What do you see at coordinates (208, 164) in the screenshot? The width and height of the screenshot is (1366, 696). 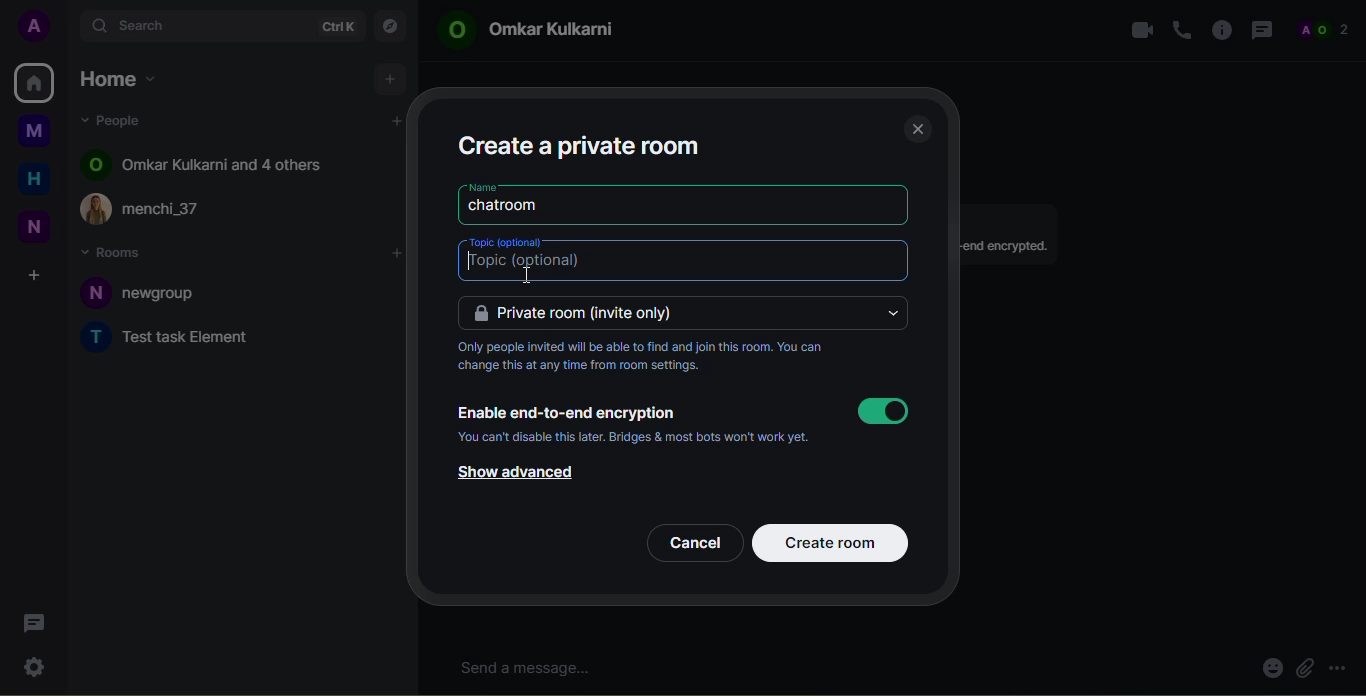 I see `O  Omkar Kulkarni and 4 others` at bounding box center [208, 164].